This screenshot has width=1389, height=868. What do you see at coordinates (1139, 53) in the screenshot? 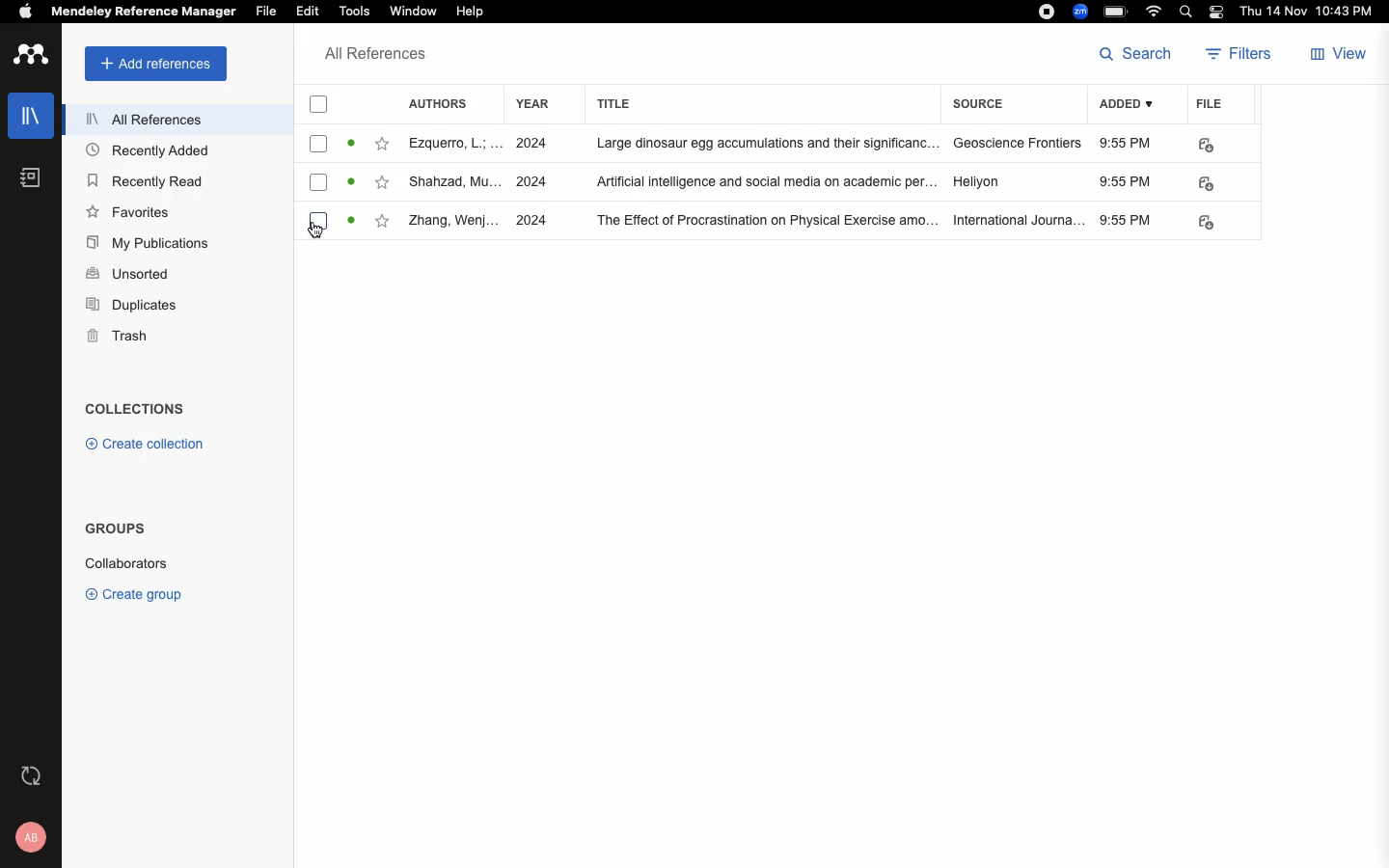
I see `Search` at bounding box center [1139, 53].